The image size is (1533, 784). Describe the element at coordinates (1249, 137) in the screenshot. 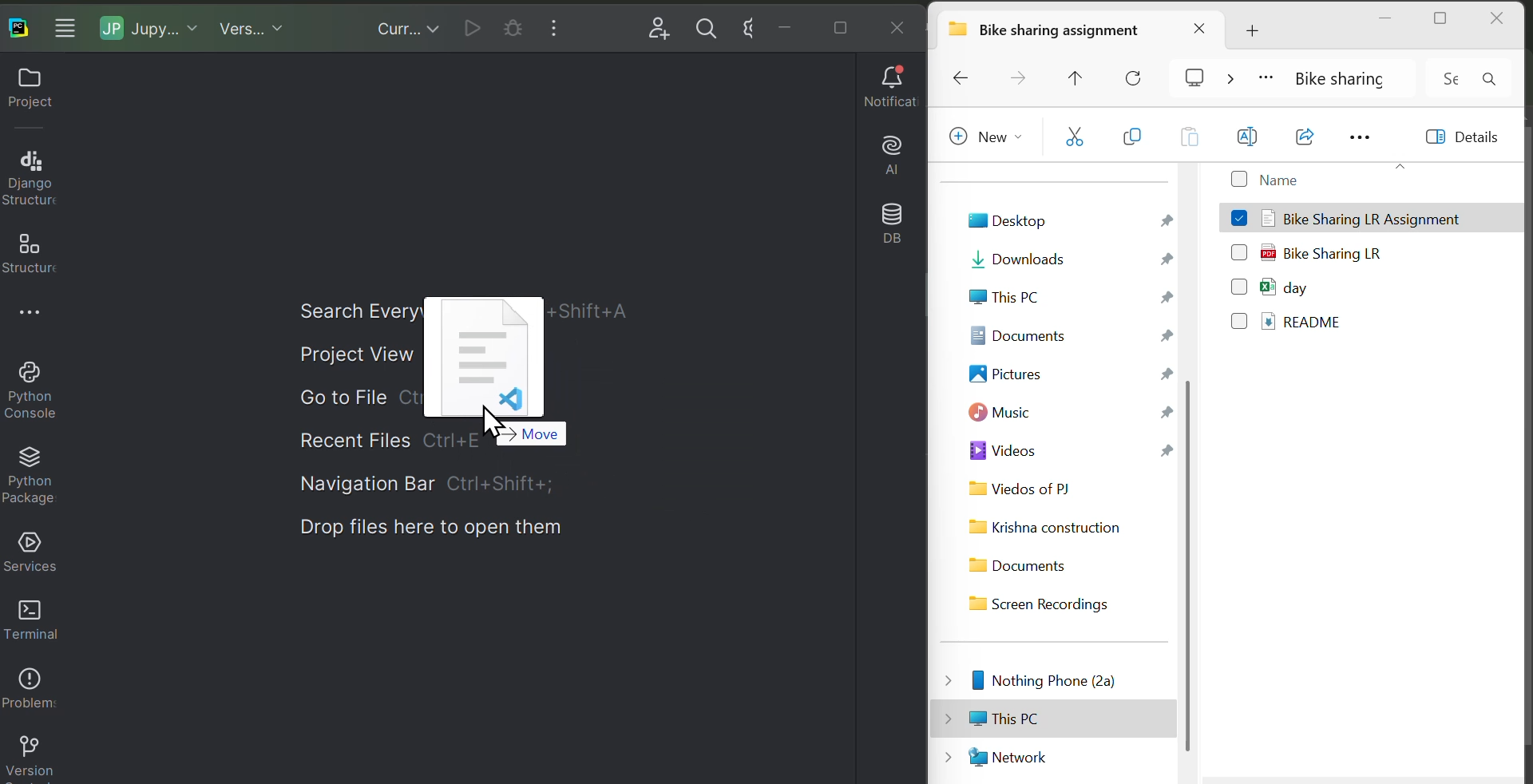

I see `Rename` at that location.